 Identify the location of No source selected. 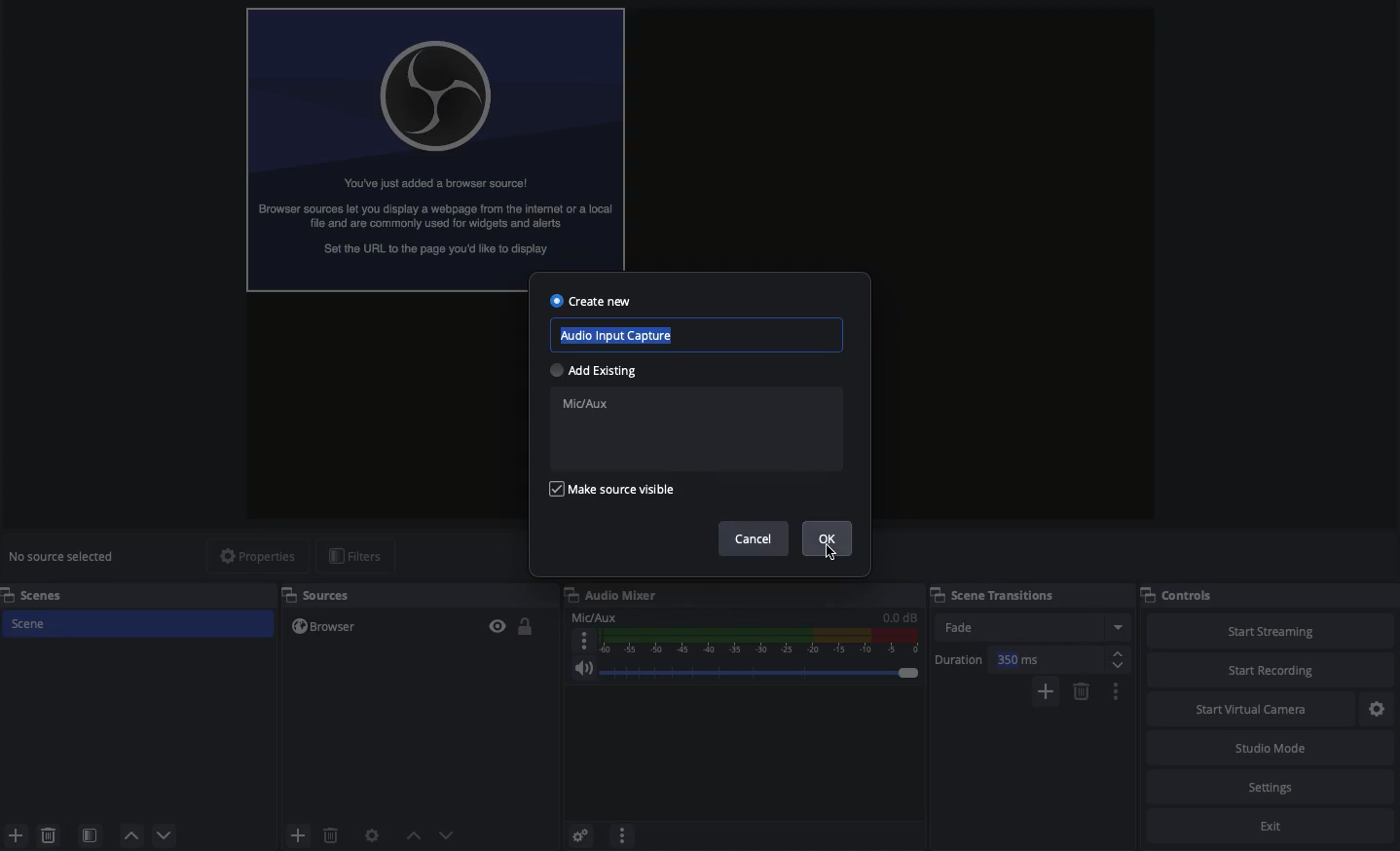
(63, 559).